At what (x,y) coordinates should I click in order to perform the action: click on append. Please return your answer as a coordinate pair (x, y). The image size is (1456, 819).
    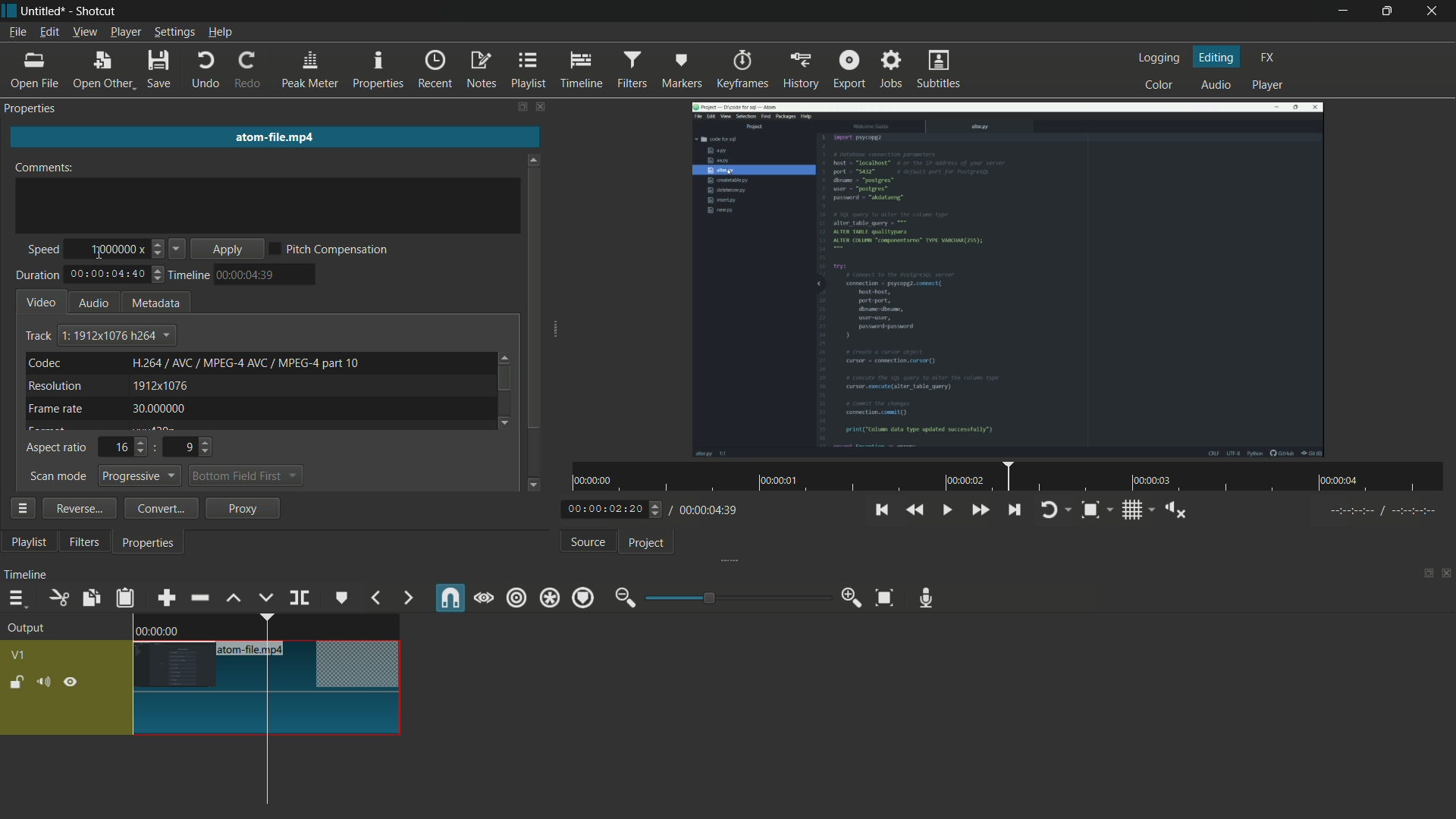
    Looking at the image, I should click on (165, 598).